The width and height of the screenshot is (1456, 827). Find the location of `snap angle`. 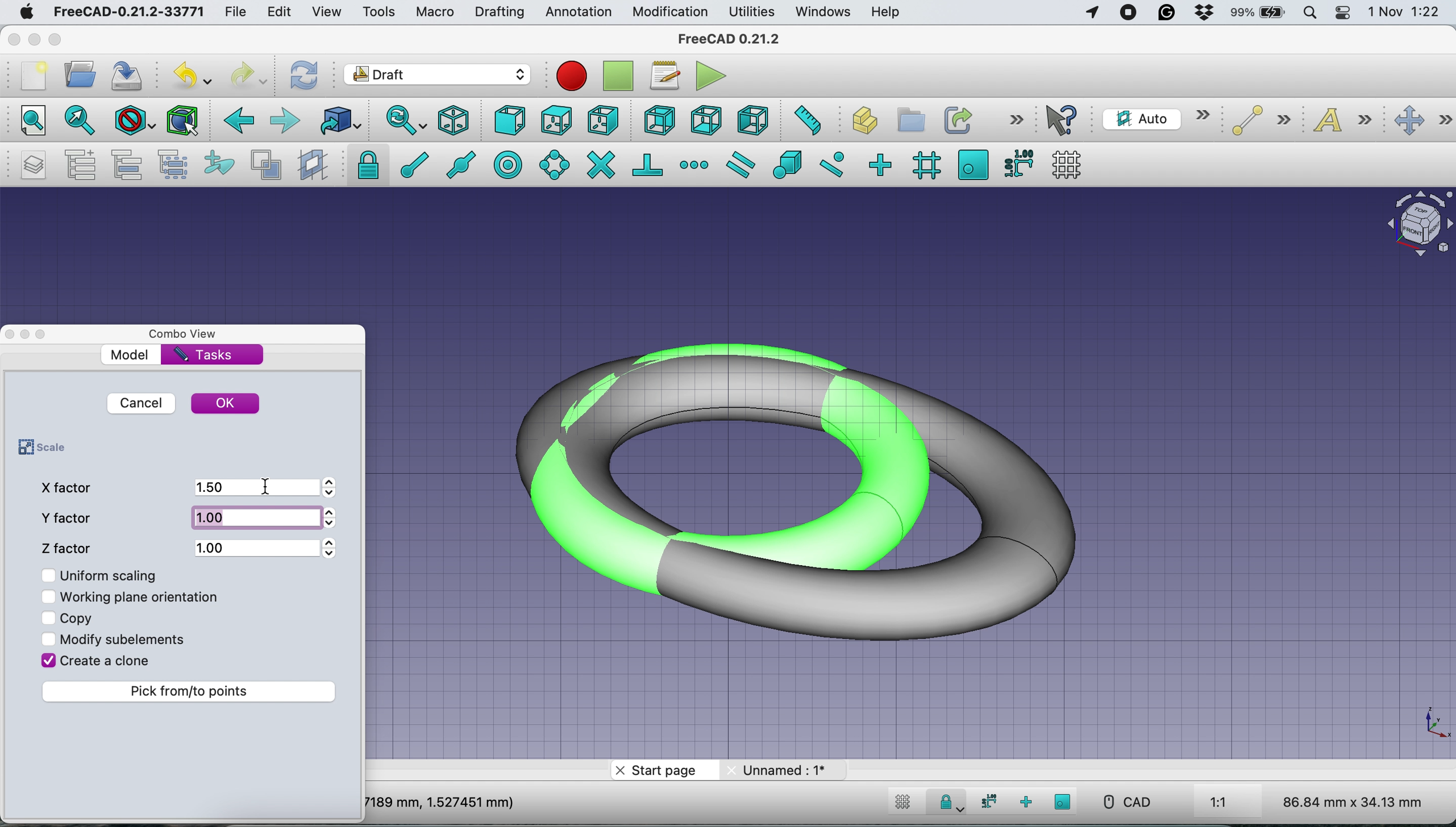

snap angle is located at coordinates (555, 164).